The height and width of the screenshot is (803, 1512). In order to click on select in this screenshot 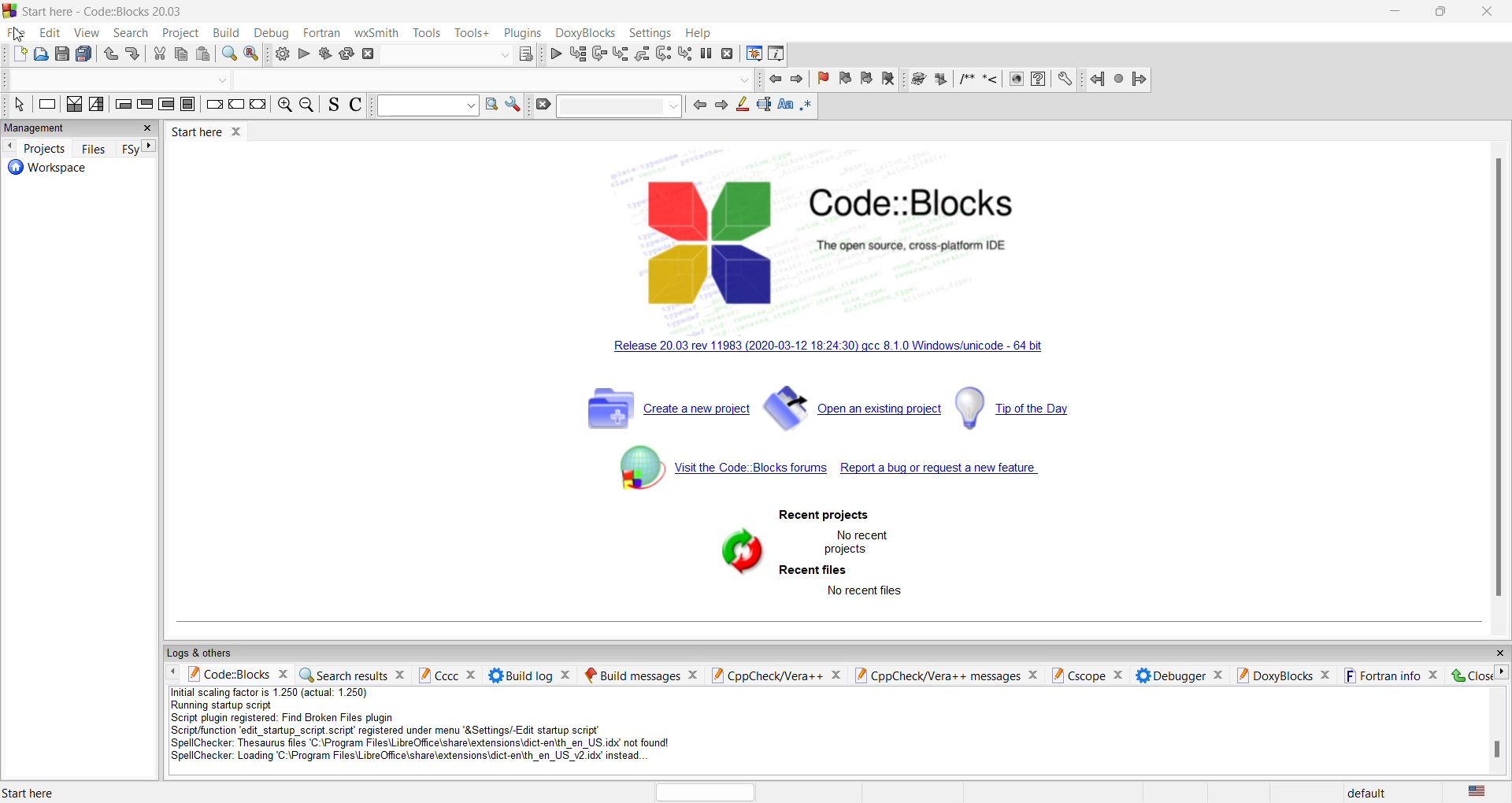, I will do `click(16, 107)`.